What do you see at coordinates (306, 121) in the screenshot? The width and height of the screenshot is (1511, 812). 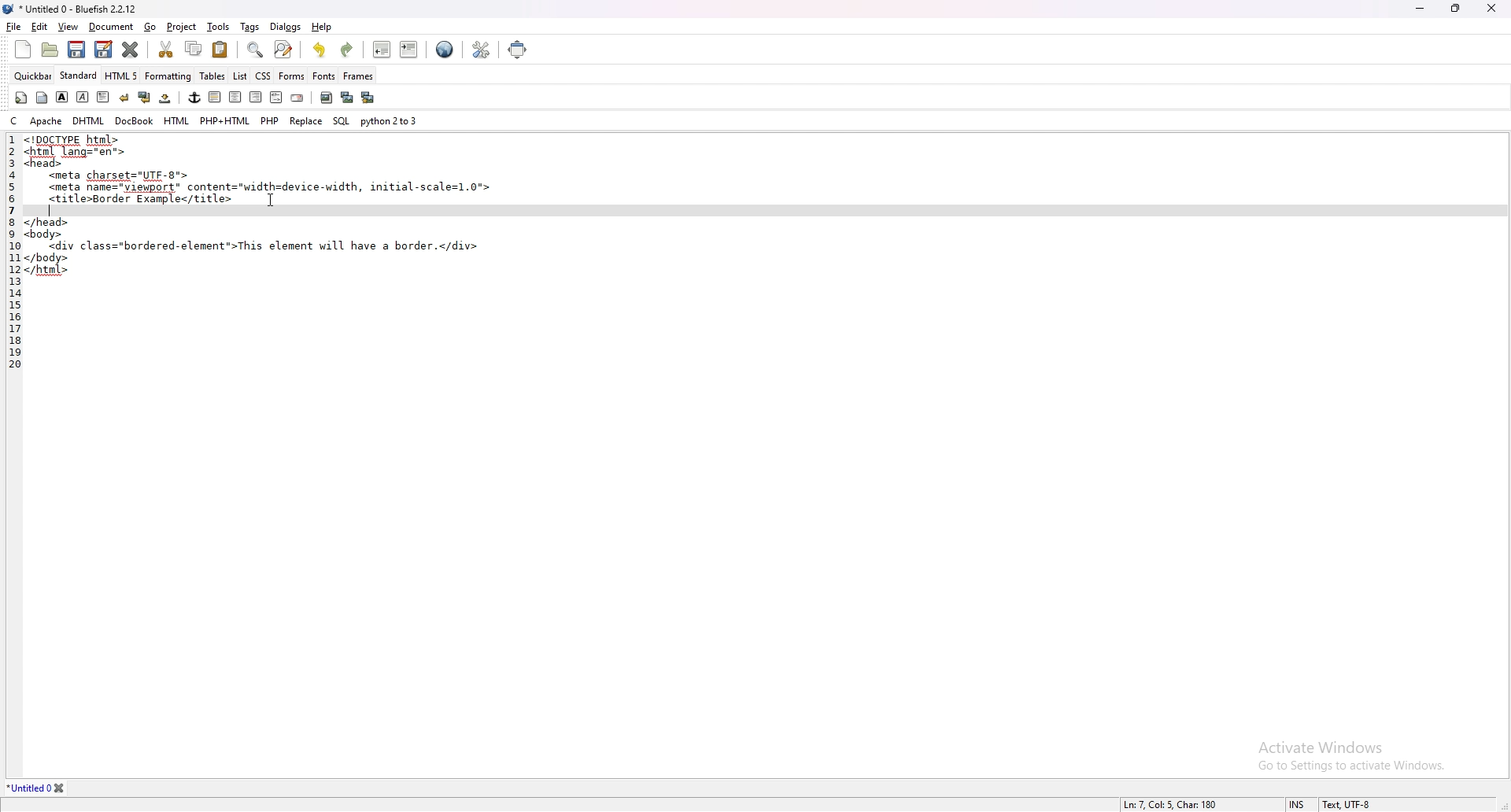 I see `replace` at bounding box center [306, 121].